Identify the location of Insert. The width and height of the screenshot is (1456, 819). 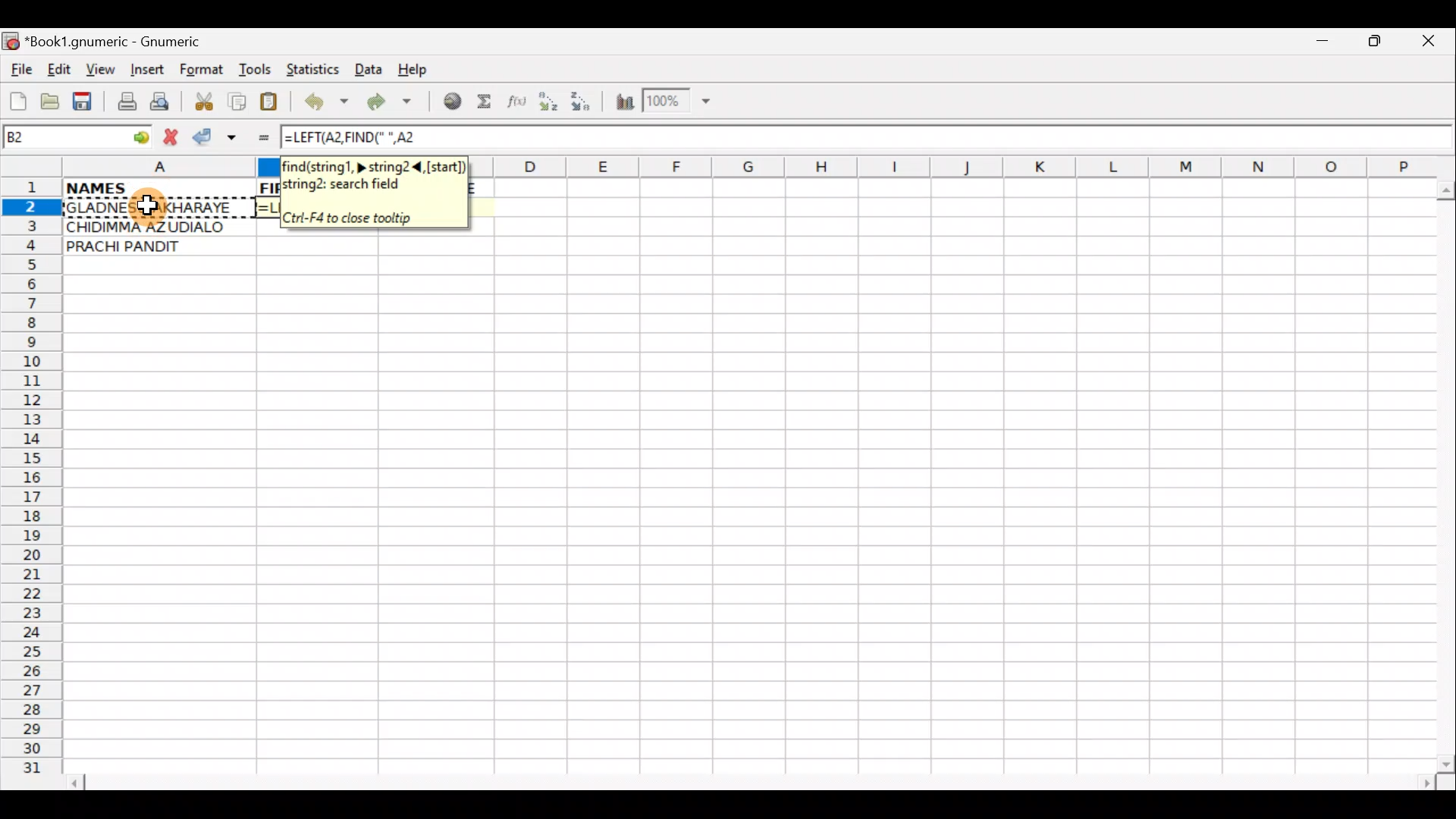
(146, 70).